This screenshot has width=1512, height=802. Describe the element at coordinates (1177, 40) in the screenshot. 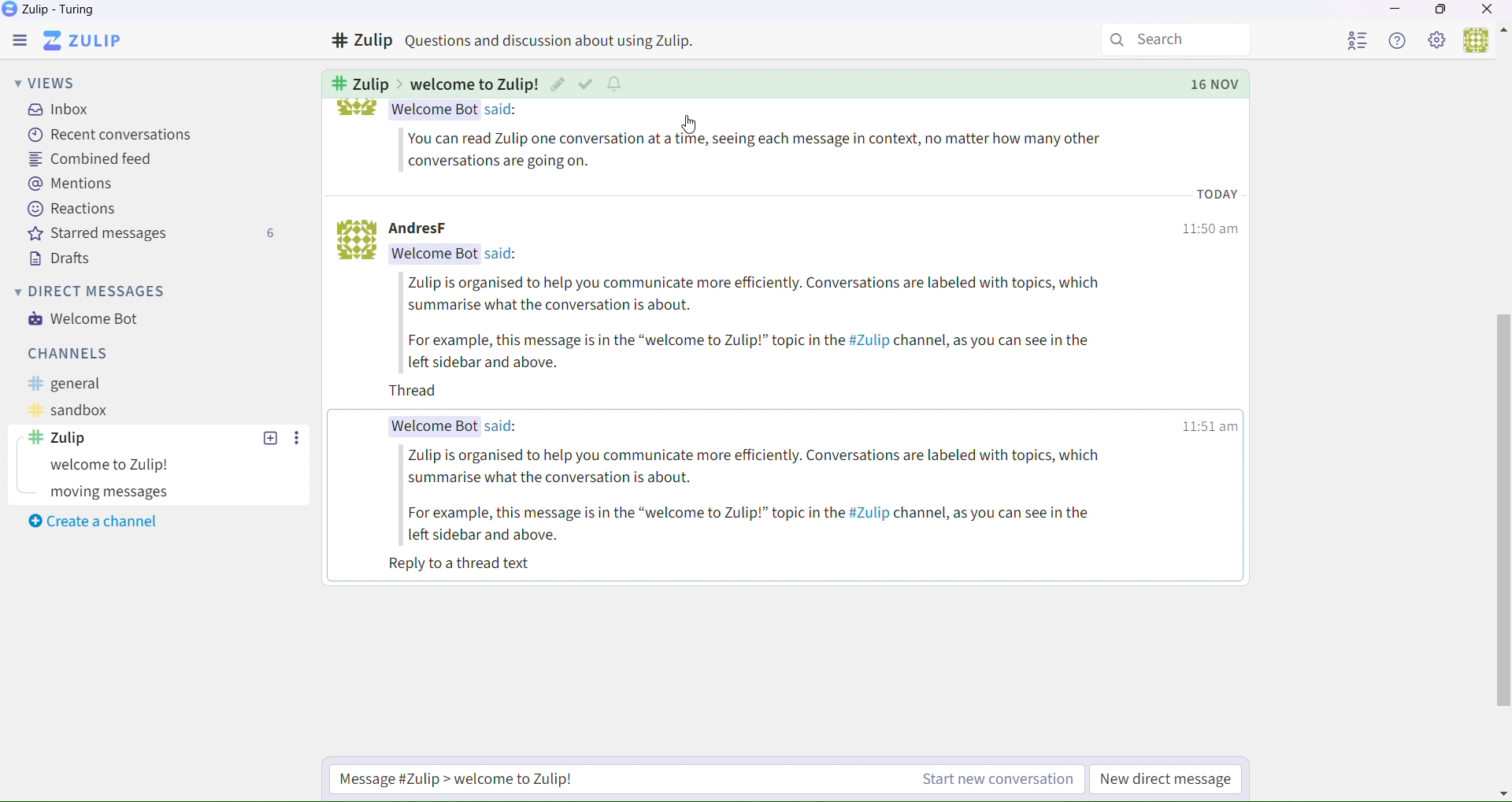

I see `Search` at that location.